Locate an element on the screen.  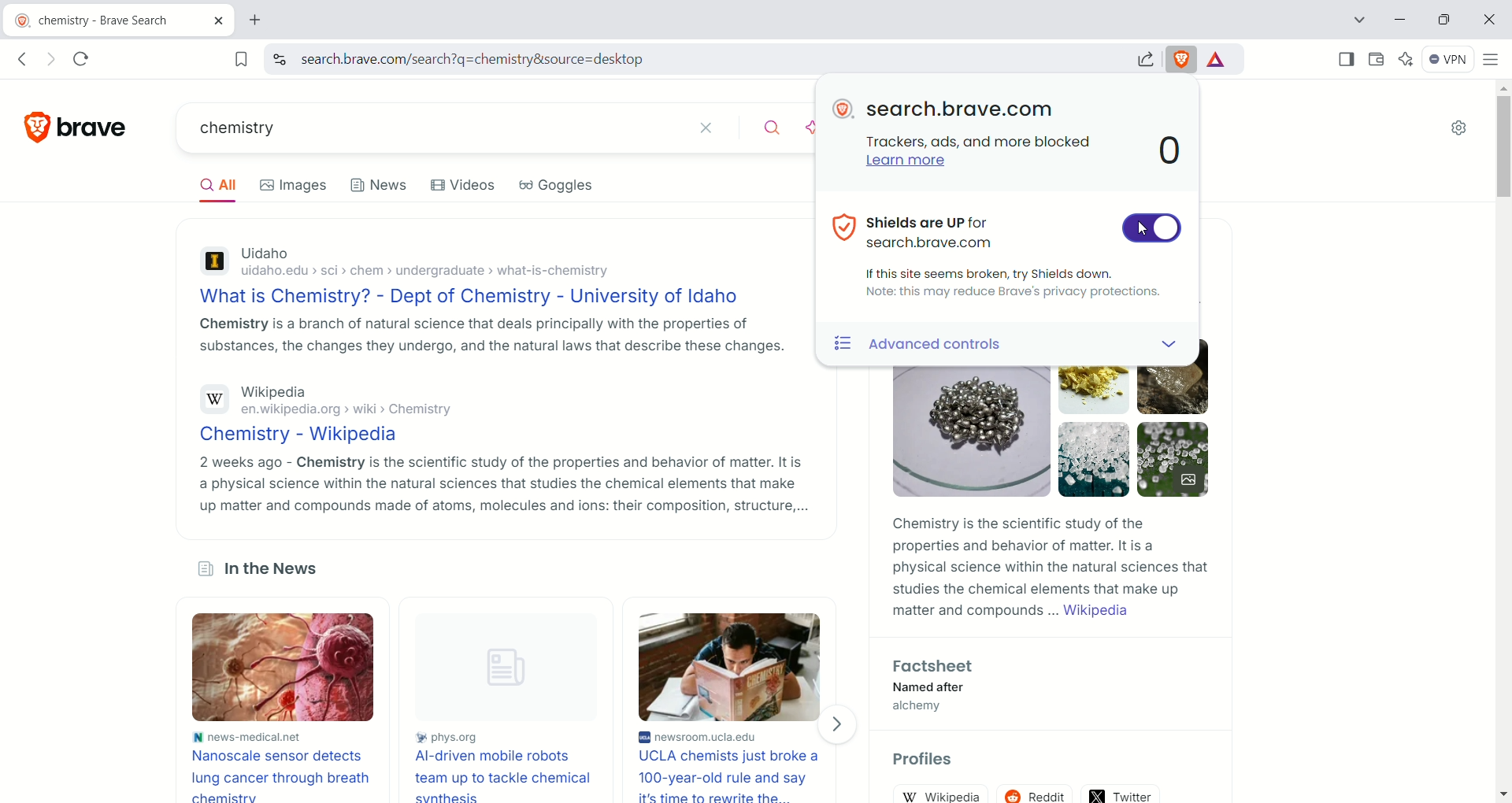
brave logo is located at coordinates (844, 109).